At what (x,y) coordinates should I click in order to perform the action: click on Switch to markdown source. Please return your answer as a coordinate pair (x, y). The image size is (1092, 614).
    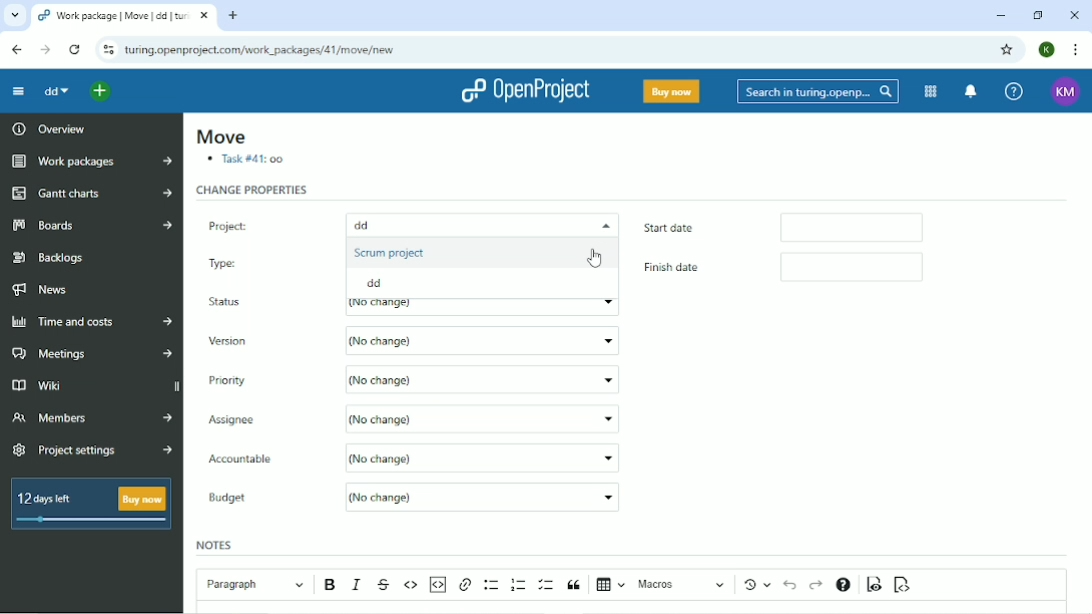
    Looking at the image, I should click on (901, 585).